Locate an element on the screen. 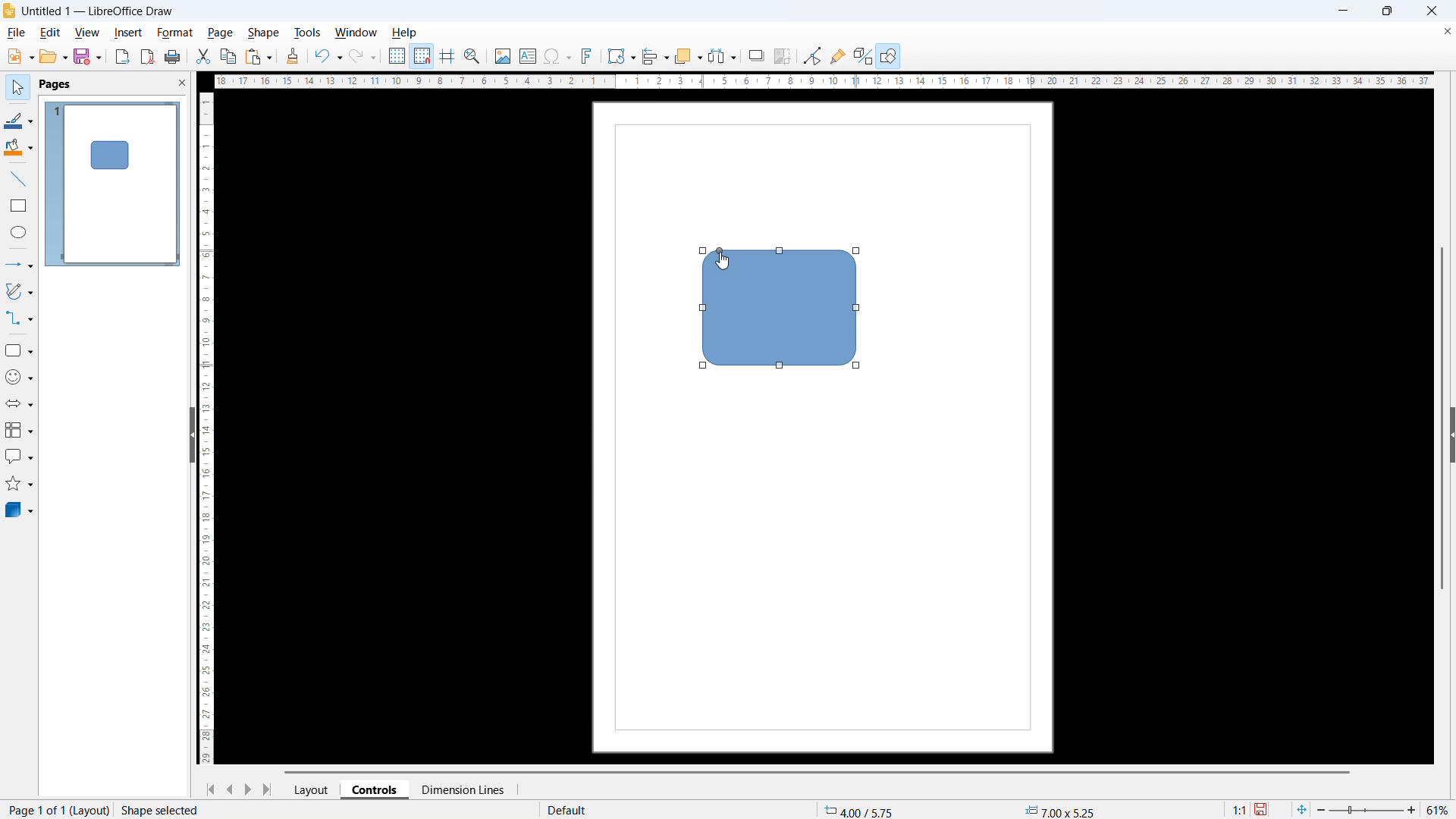 This screenshot has height=819, width=1456. Line tool  is located at coordinates (17, 179).